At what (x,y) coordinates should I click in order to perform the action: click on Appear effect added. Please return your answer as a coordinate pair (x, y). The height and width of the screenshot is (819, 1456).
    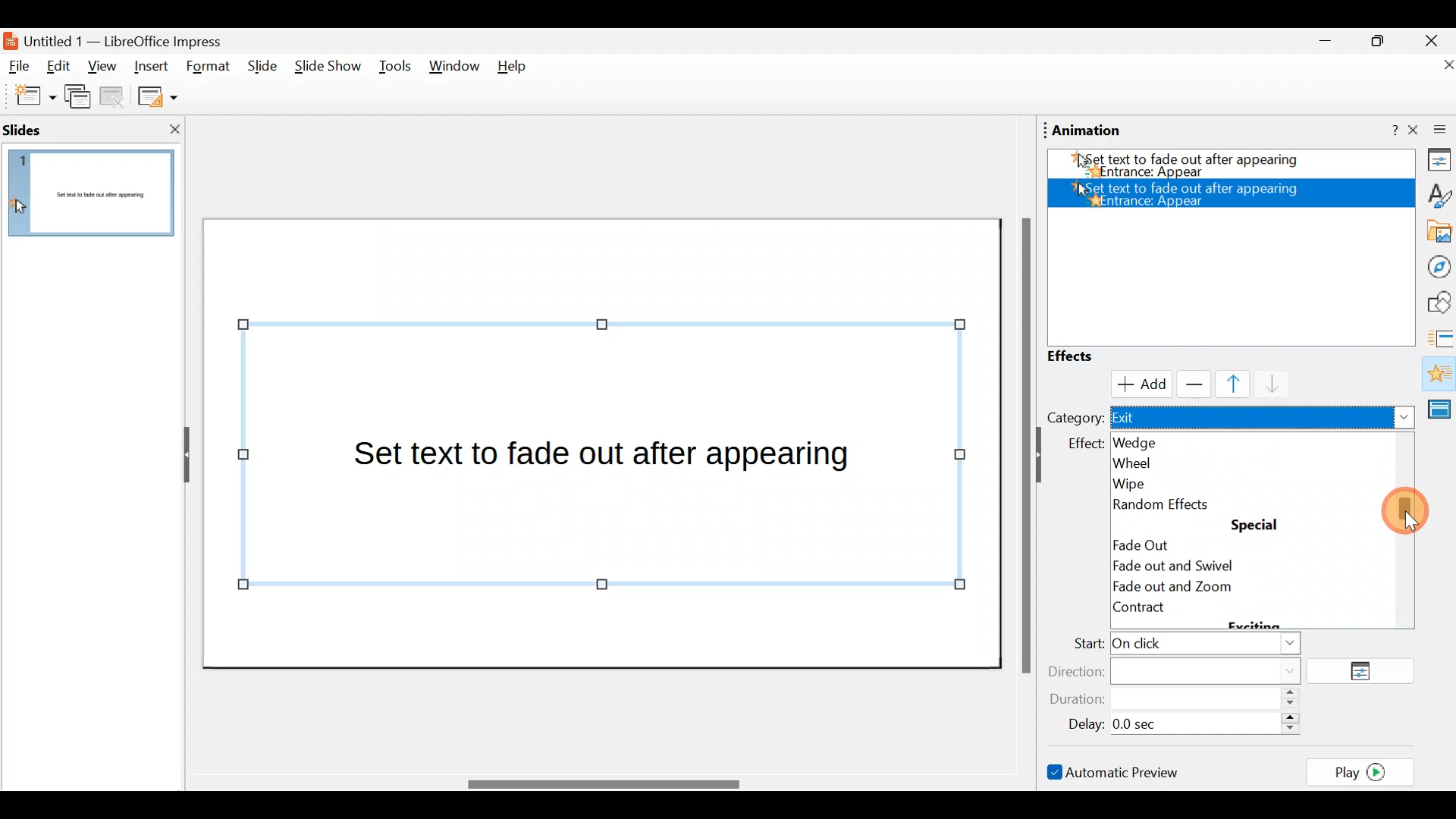
    Looking at the image, I should click on (1191, 193).